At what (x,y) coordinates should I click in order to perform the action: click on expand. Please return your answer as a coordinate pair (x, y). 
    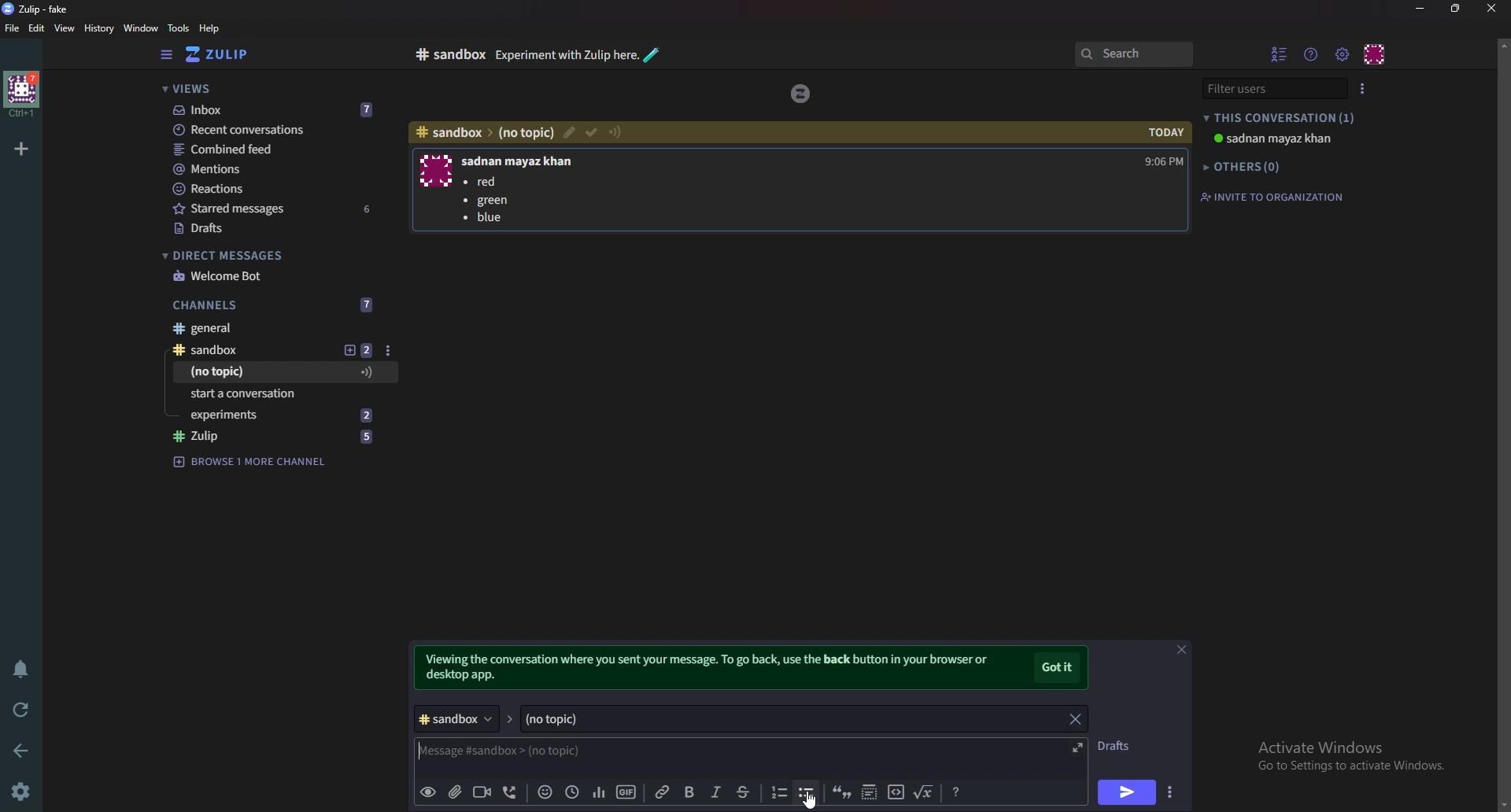
    Looking at the image, I should click on (1074, 747).